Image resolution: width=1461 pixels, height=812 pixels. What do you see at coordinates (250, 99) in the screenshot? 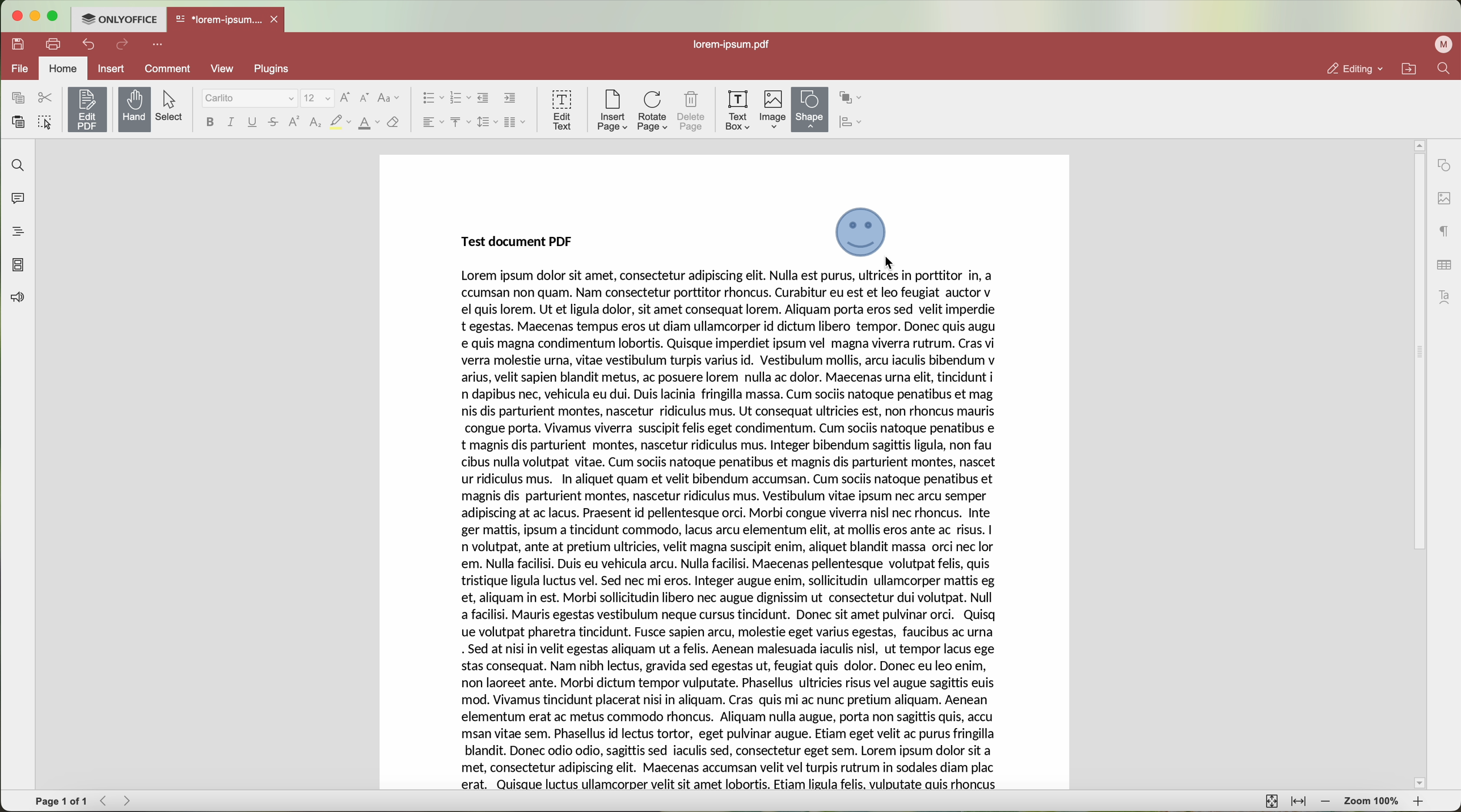
I see `font type` at bounding box center [250, 99].